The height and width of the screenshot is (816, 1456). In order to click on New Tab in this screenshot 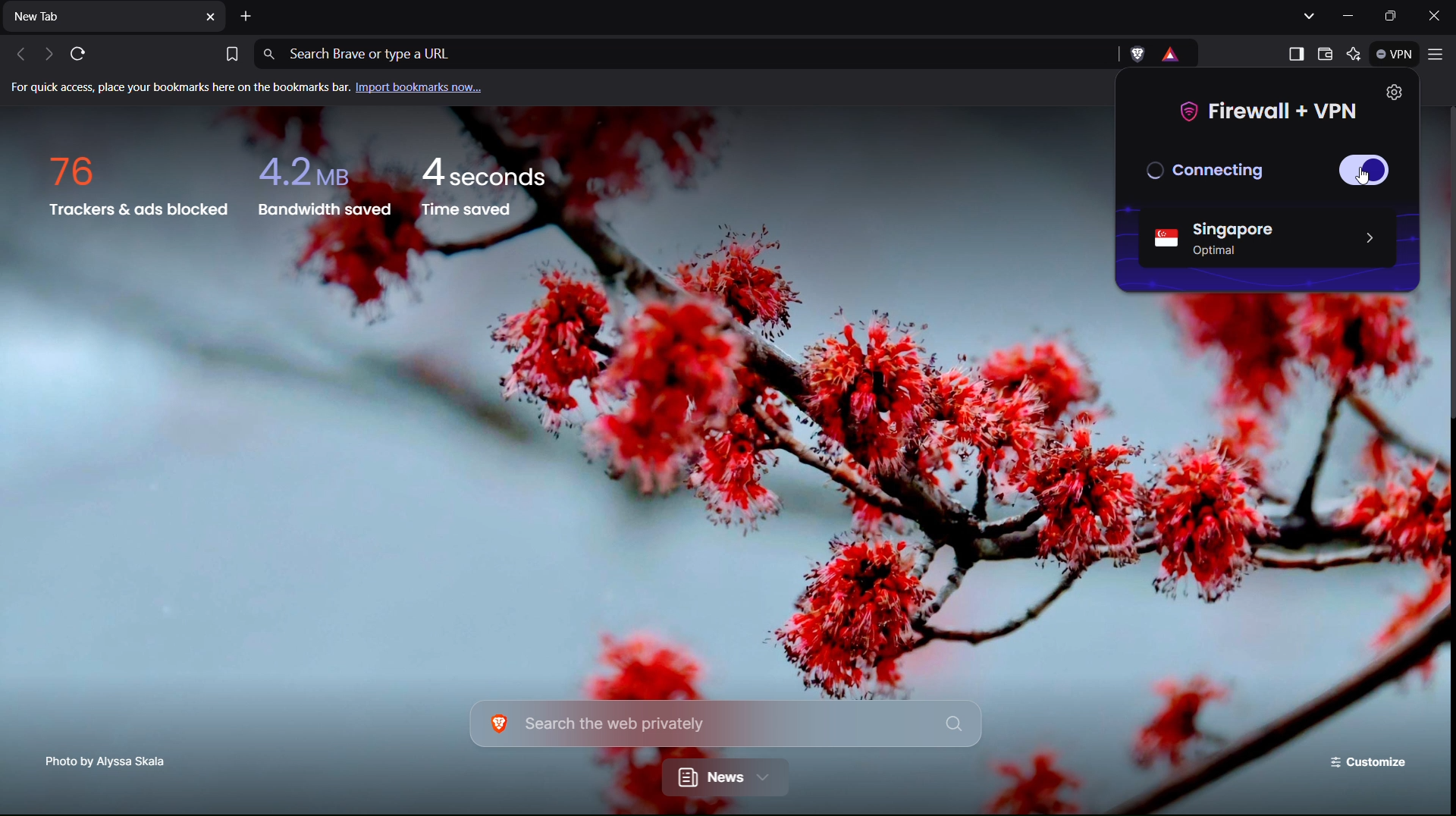, I will do `click(115, 17)`.